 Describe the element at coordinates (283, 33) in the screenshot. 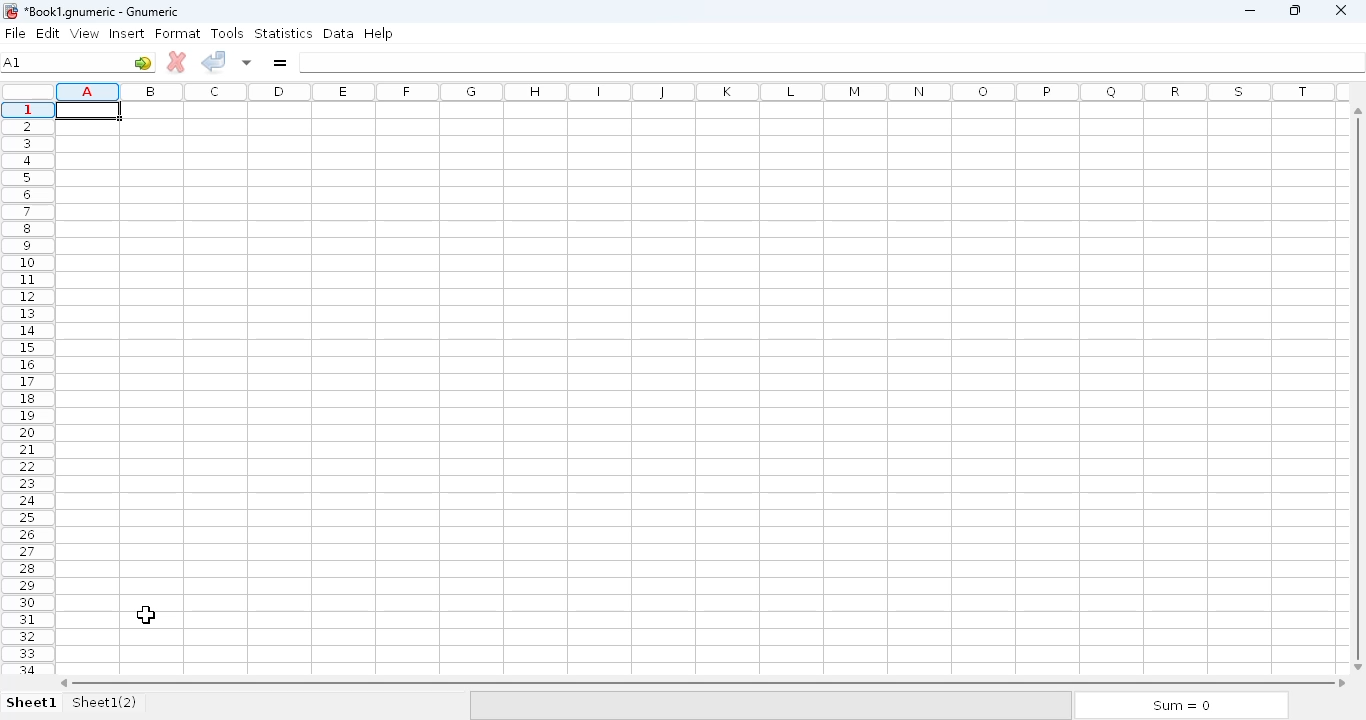

I see `statistics` at that location.